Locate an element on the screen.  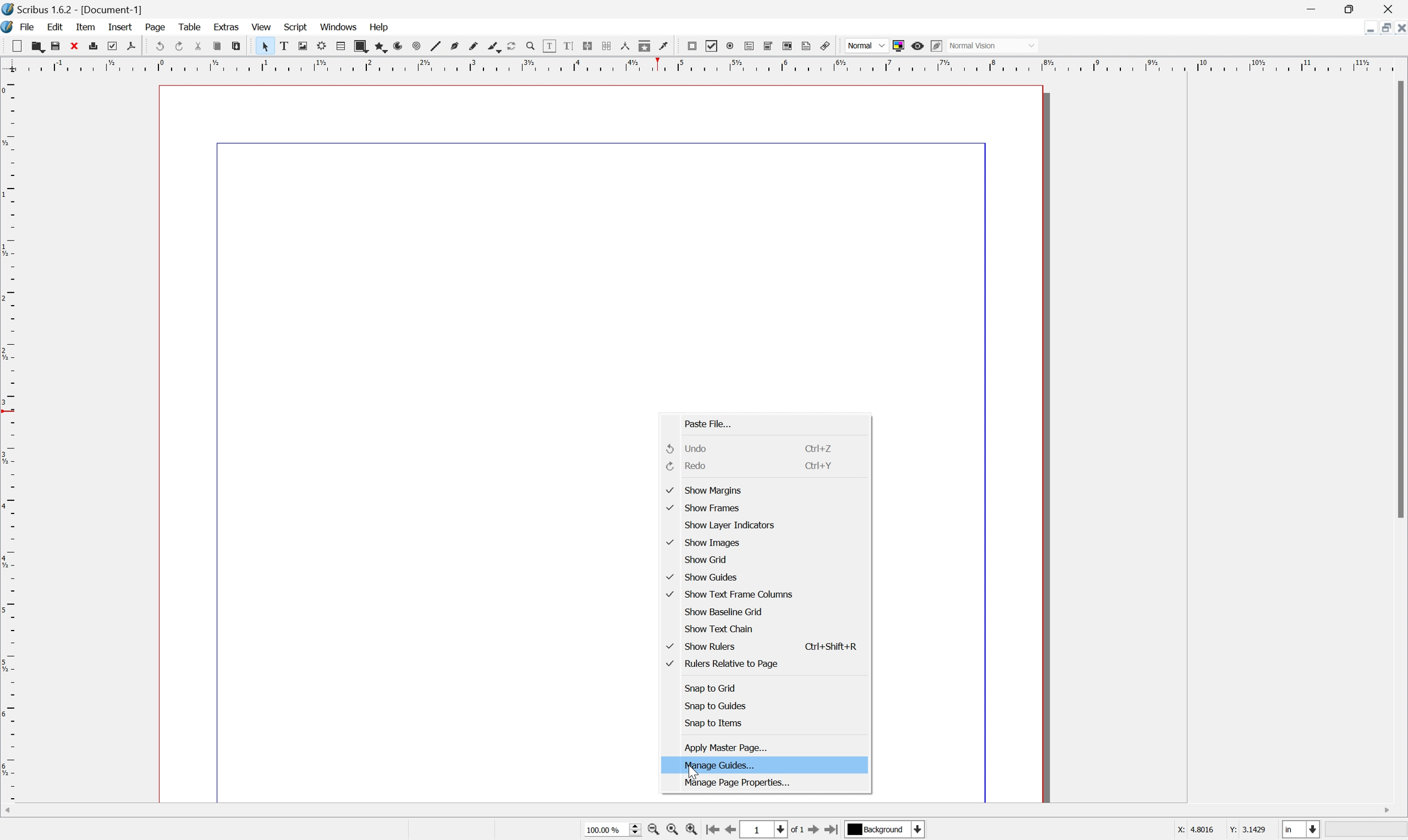
measurements is located at coordinates (624, 46).